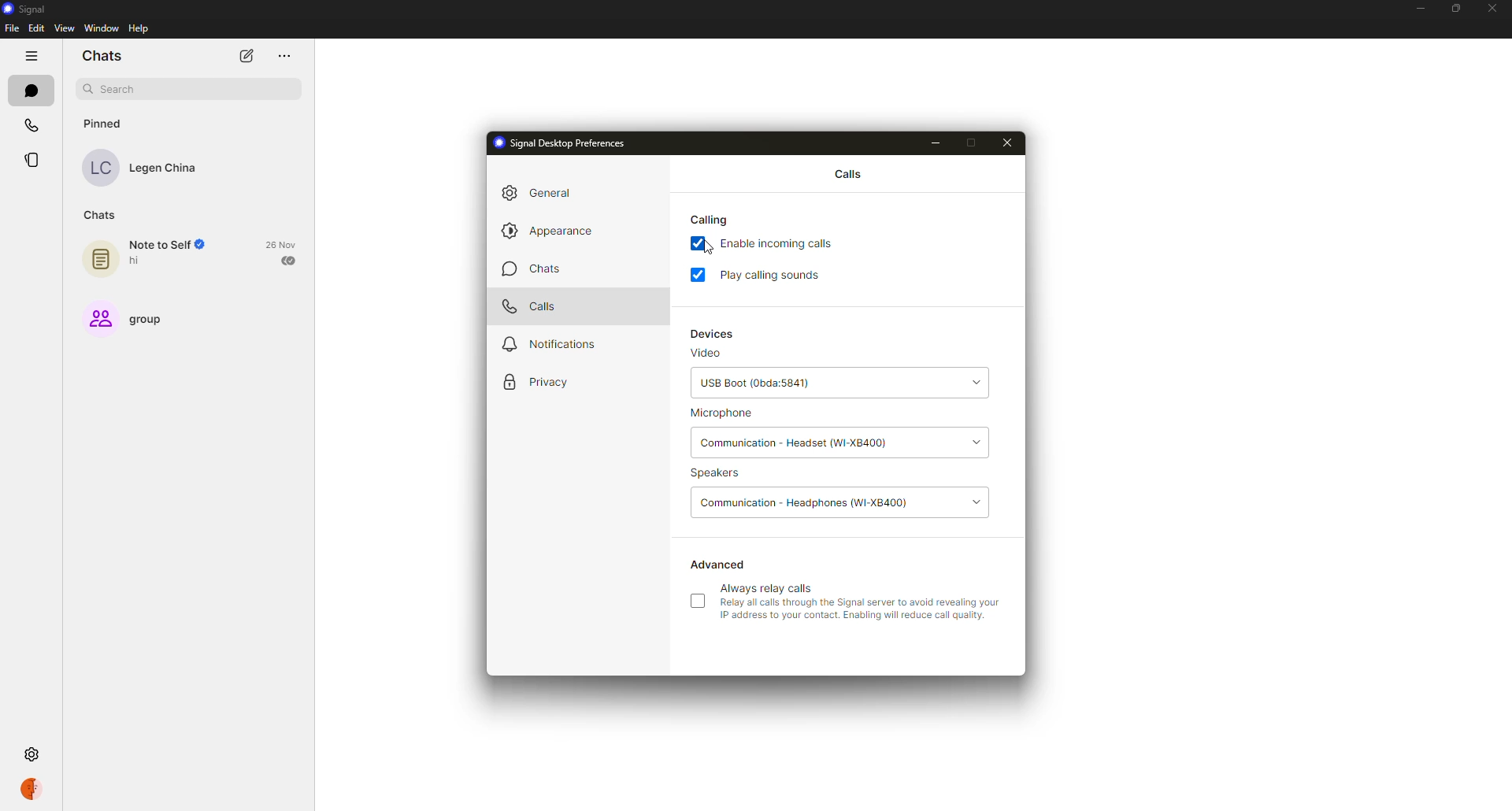  I want to click on pinned, so click(104, 124).